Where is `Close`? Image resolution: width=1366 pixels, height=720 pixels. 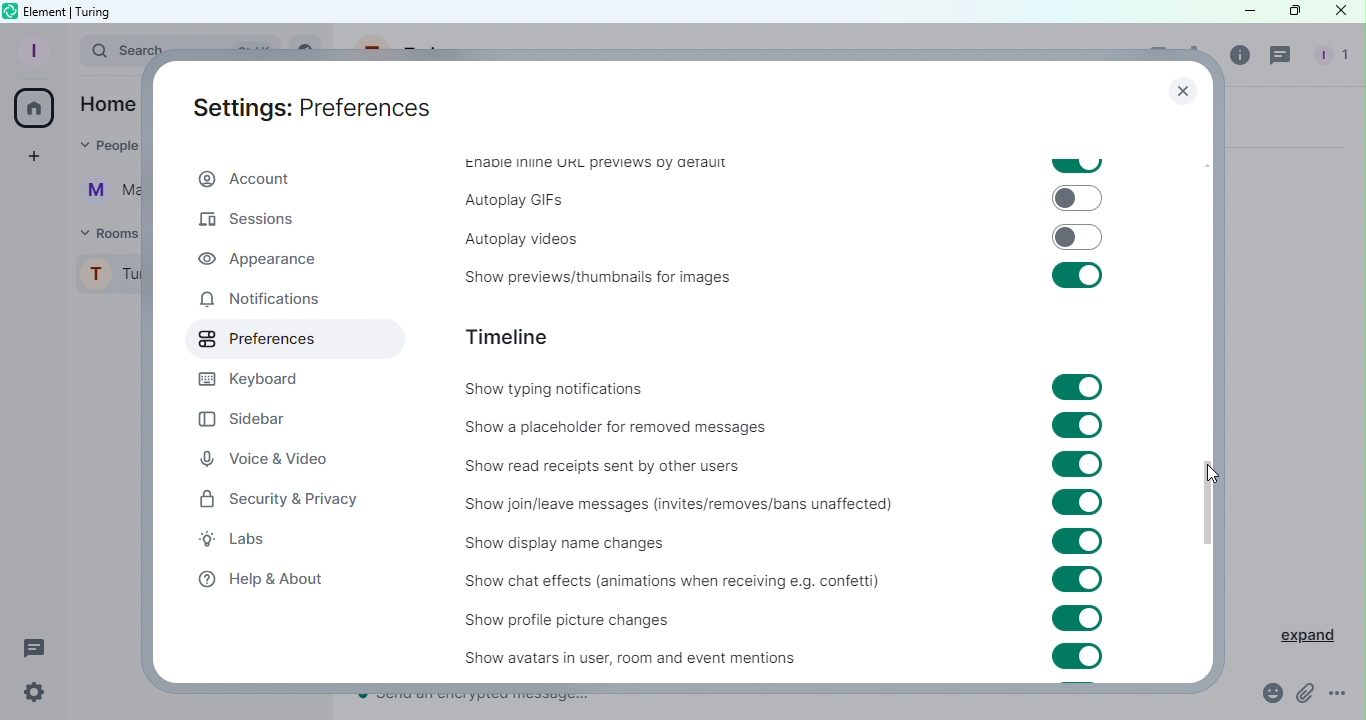 Close is located at coordinates (1179, 94).